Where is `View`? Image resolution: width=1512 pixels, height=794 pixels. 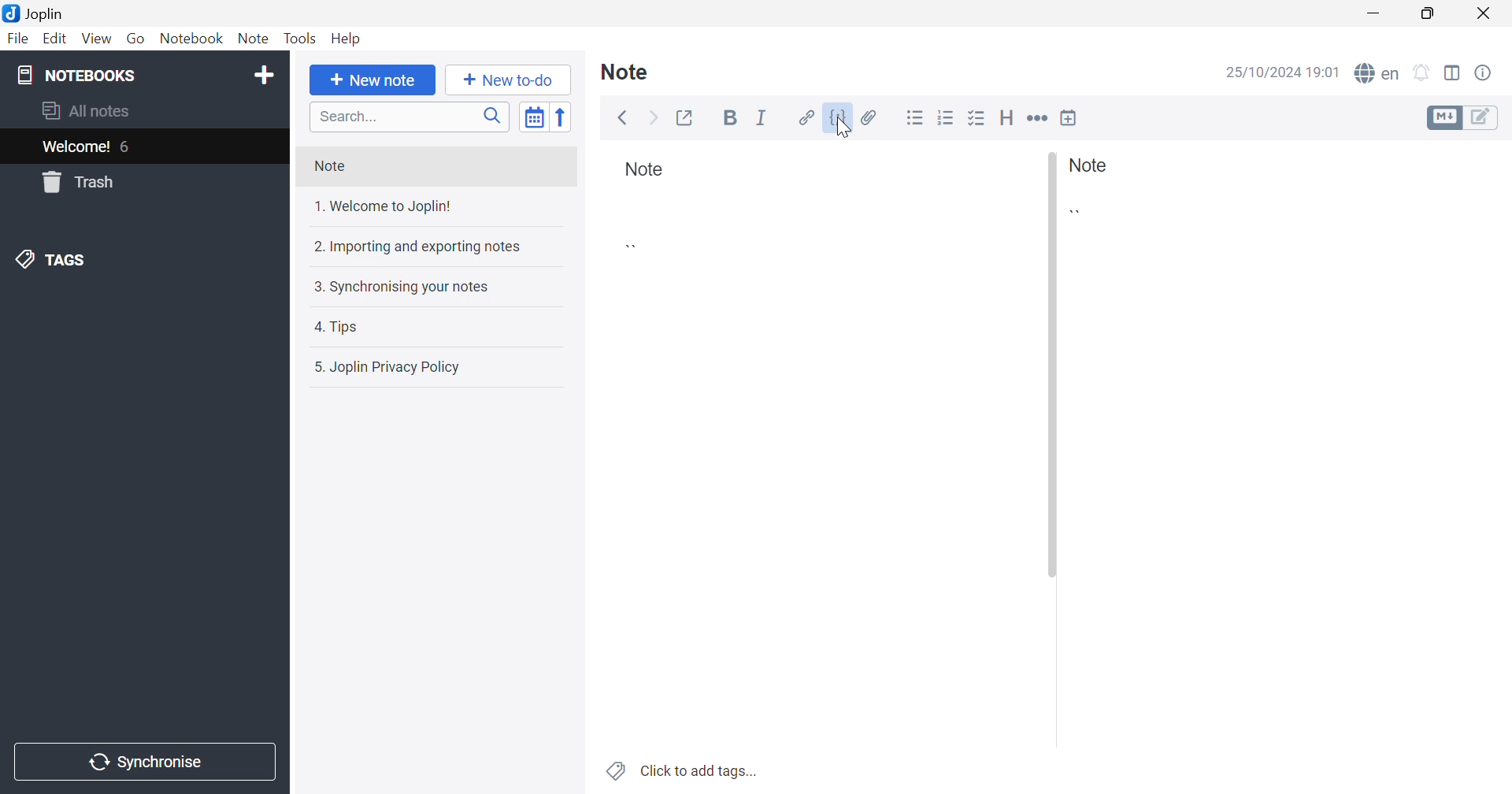
View is located at coordinates (94, 38).